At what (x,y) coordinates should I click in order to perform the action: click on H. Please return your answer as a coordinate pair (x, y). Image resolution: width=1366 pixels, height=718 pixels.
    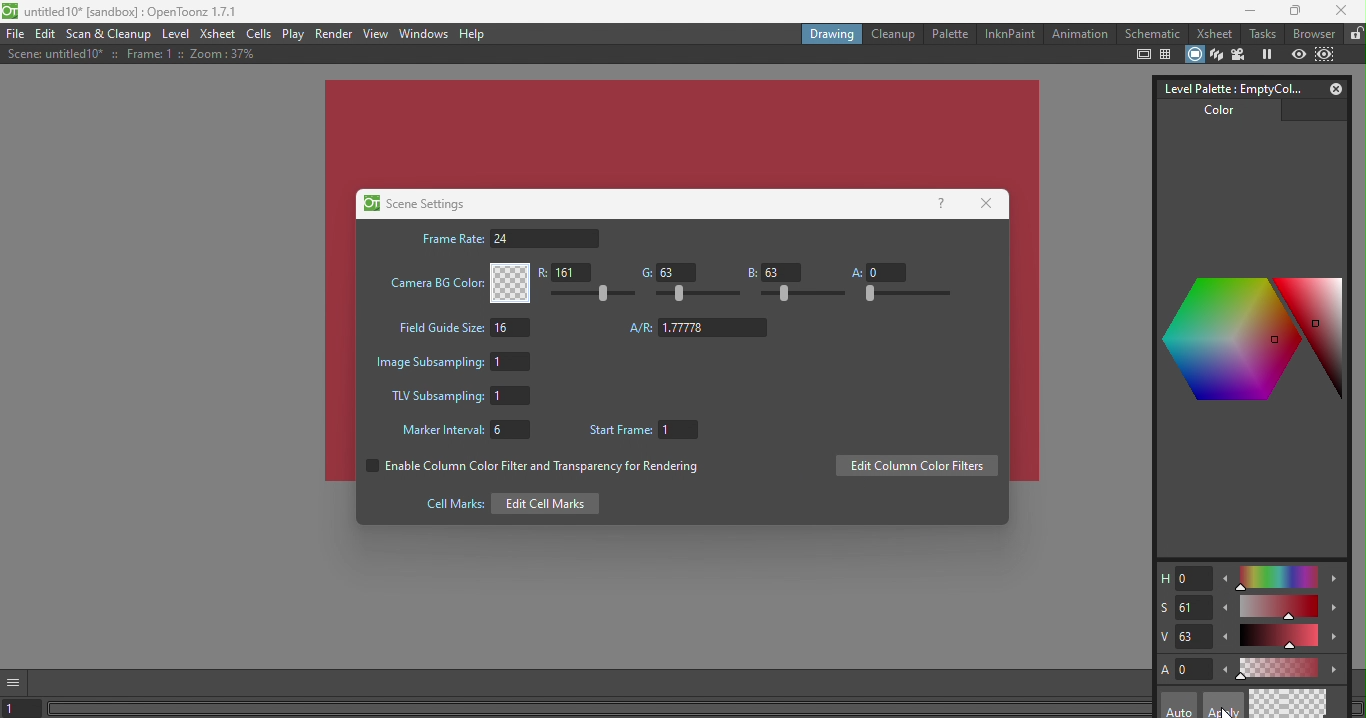
    Looking at the image, I should click on (1183, 579).